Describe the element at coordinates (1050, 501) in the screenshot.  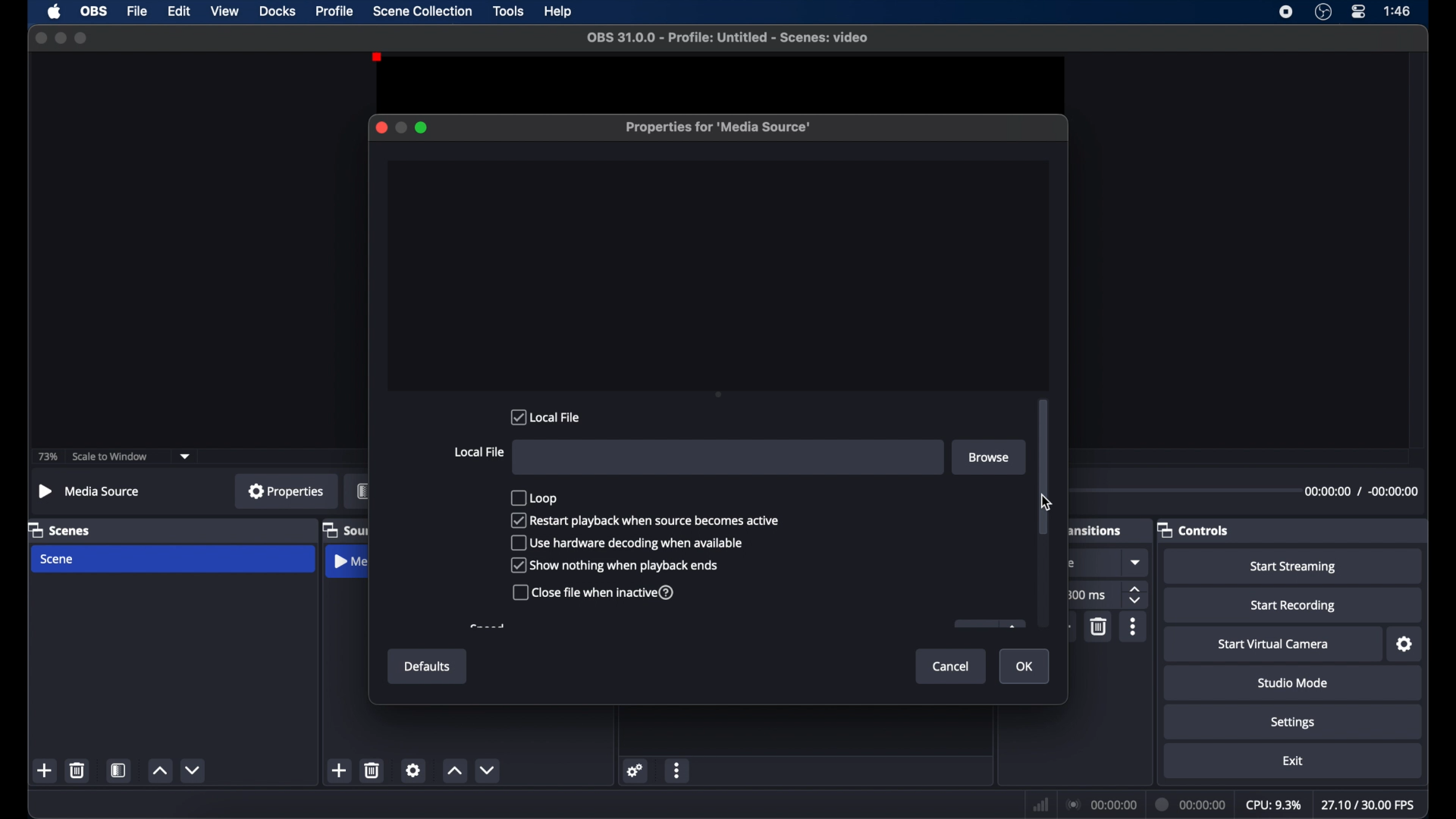
I see `cursor` at that location.